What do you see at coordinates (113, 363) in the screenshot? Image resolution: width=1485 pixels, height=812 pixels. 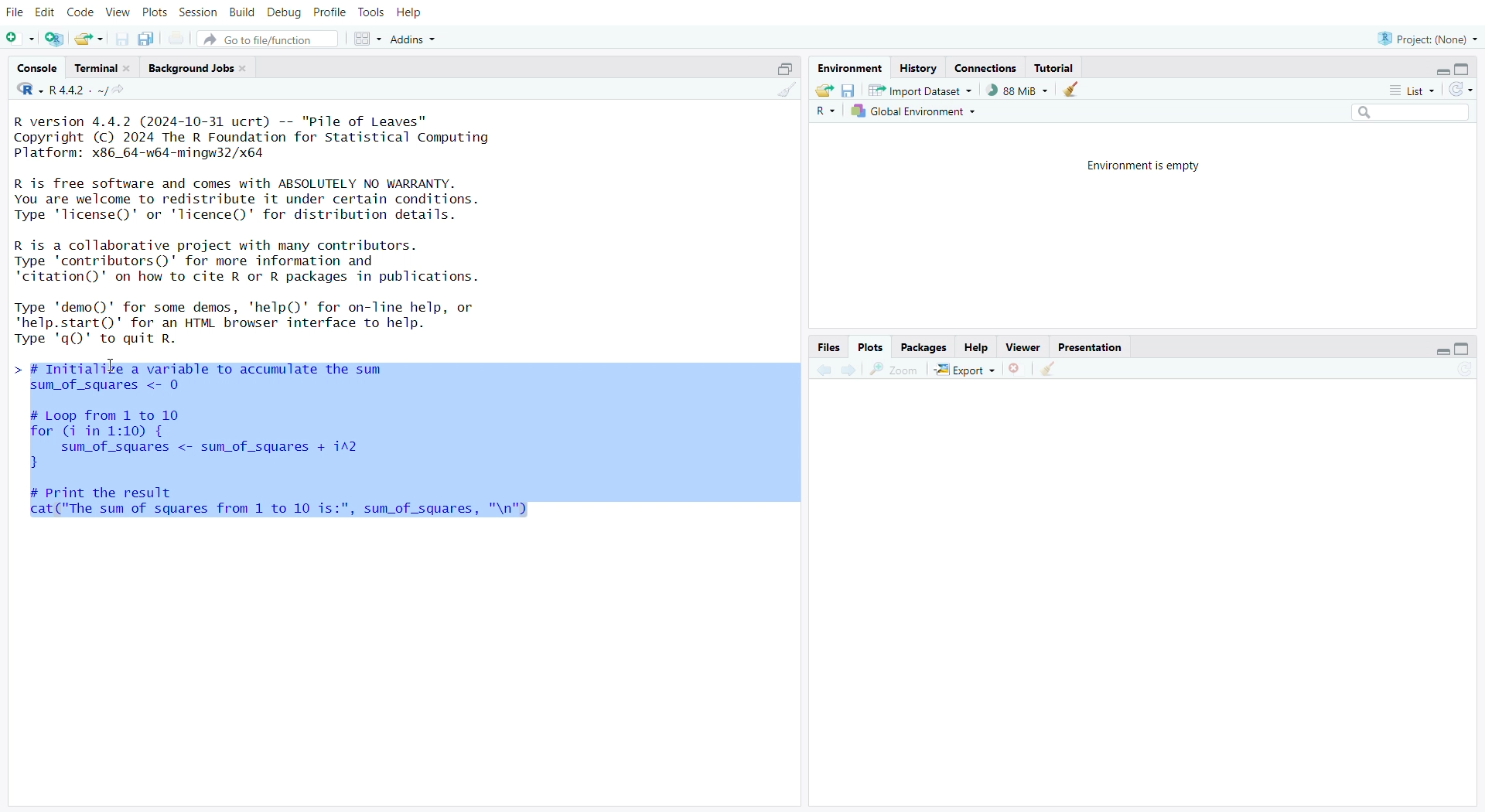 I see `cursor` at bounding box center [113, 363].